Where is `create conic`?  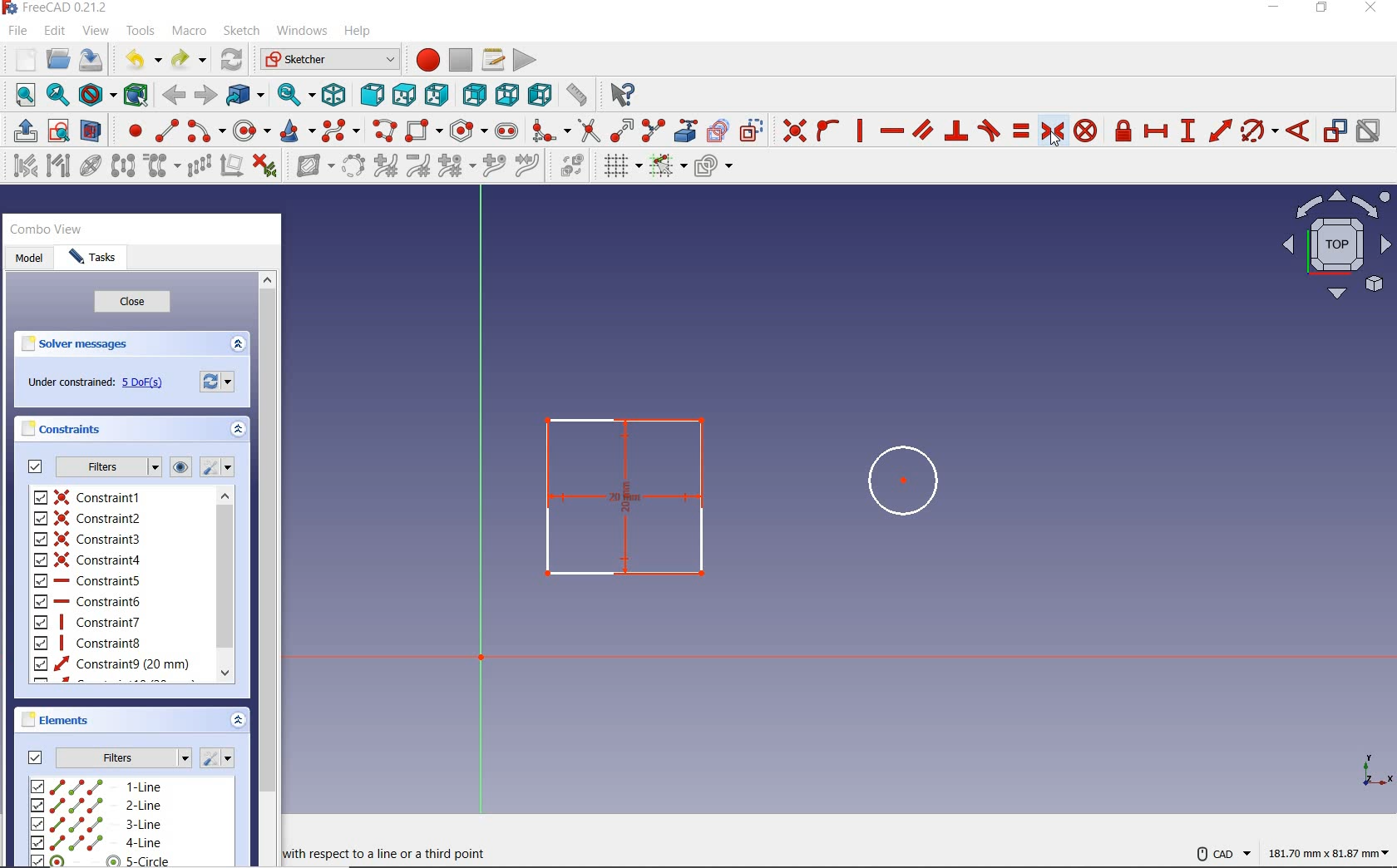 create conic is located at coordinates (298, 131).